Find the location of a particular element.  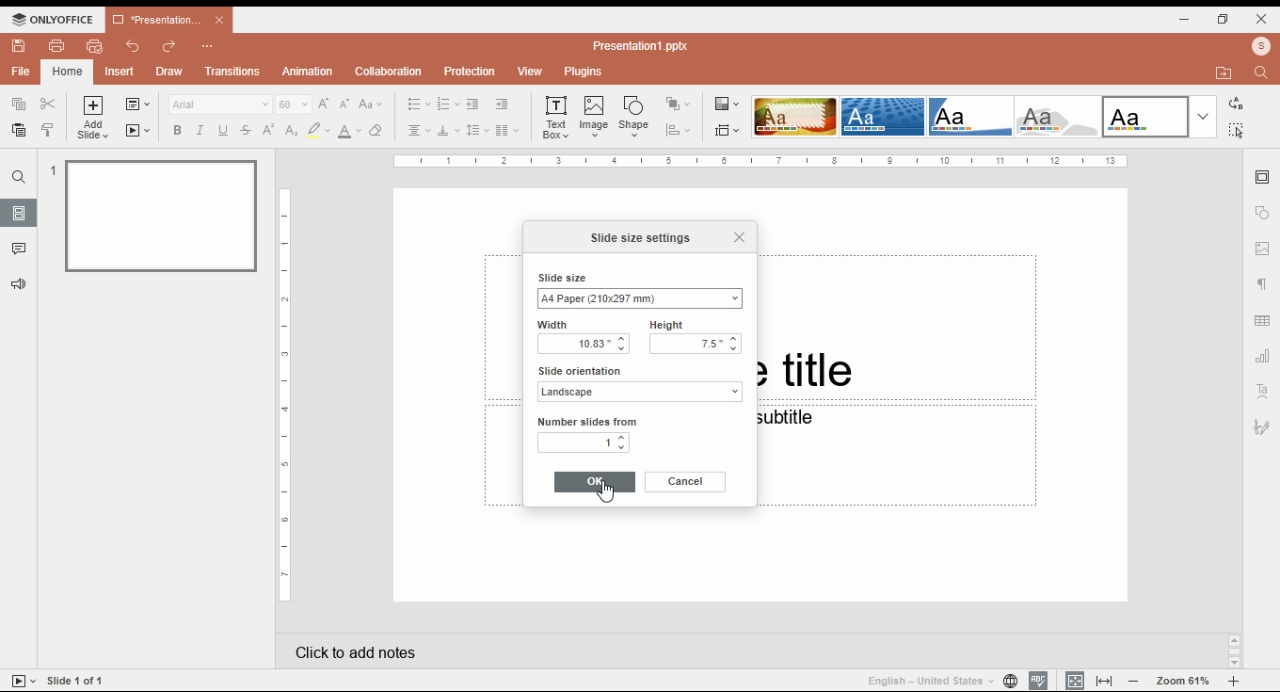

decrease indent is located at coordinates (472, 105).